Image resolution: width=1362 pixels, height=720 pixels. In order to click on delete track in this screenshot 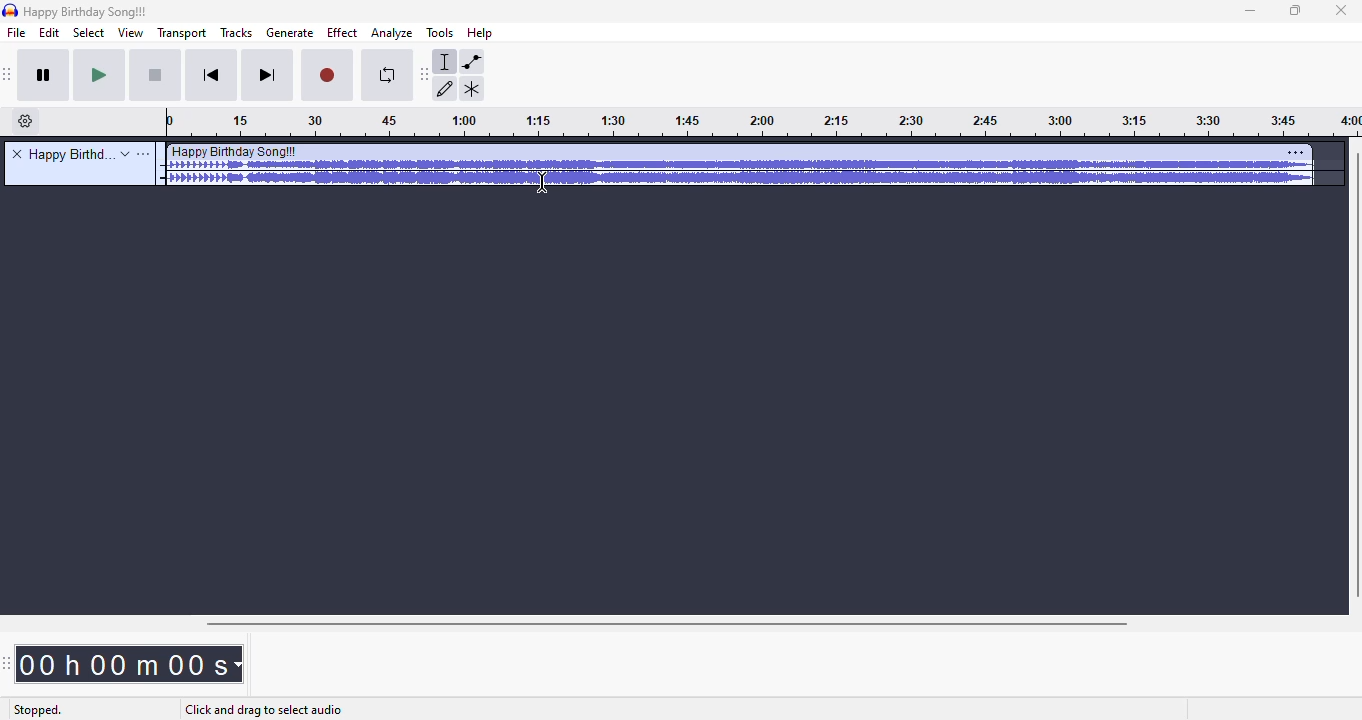, I will do `click(17, 153)`.